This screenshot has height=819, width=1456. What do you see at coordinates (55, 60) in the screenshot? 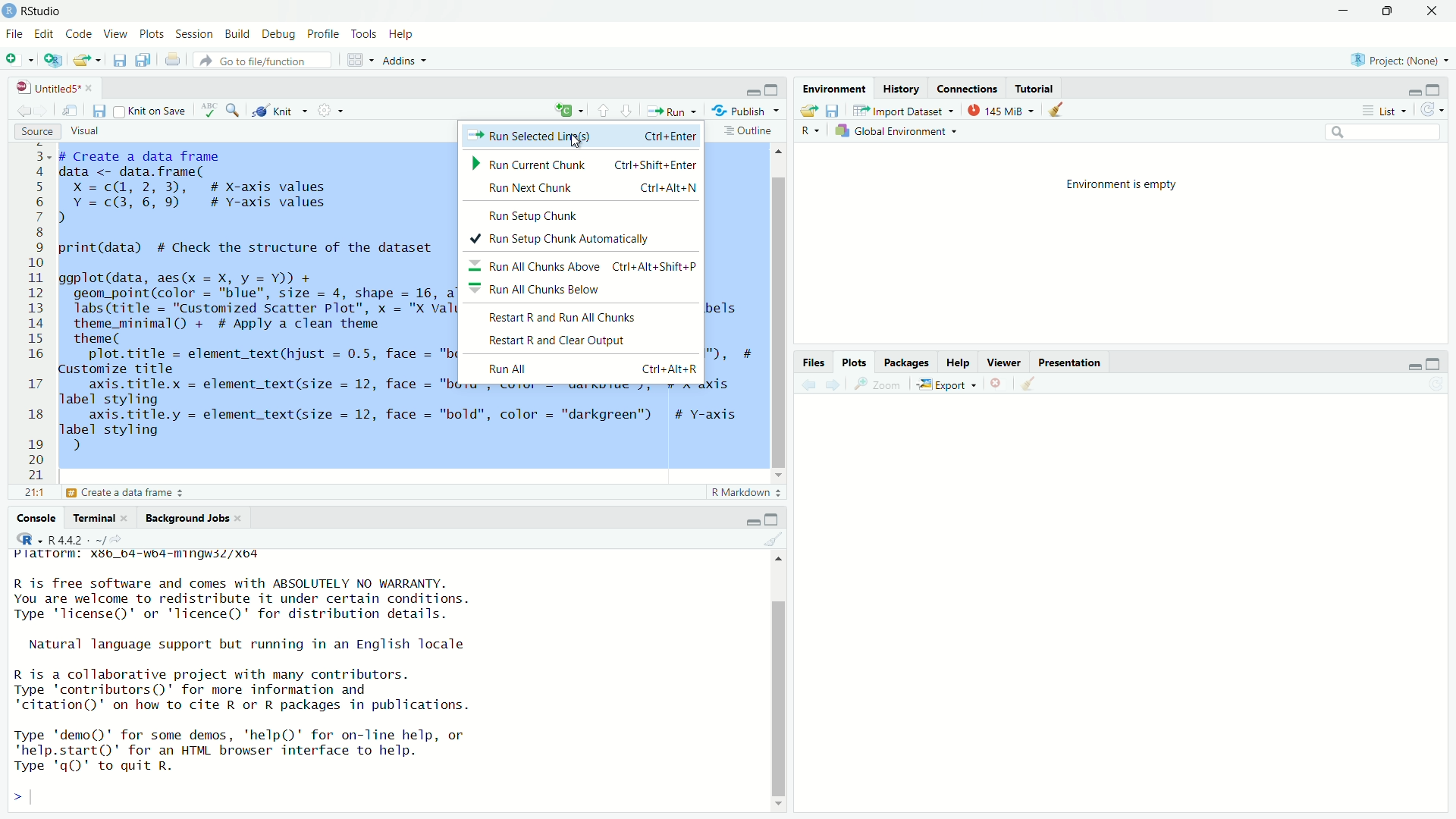
I see `Create a project` at bounding box center [55, 60].